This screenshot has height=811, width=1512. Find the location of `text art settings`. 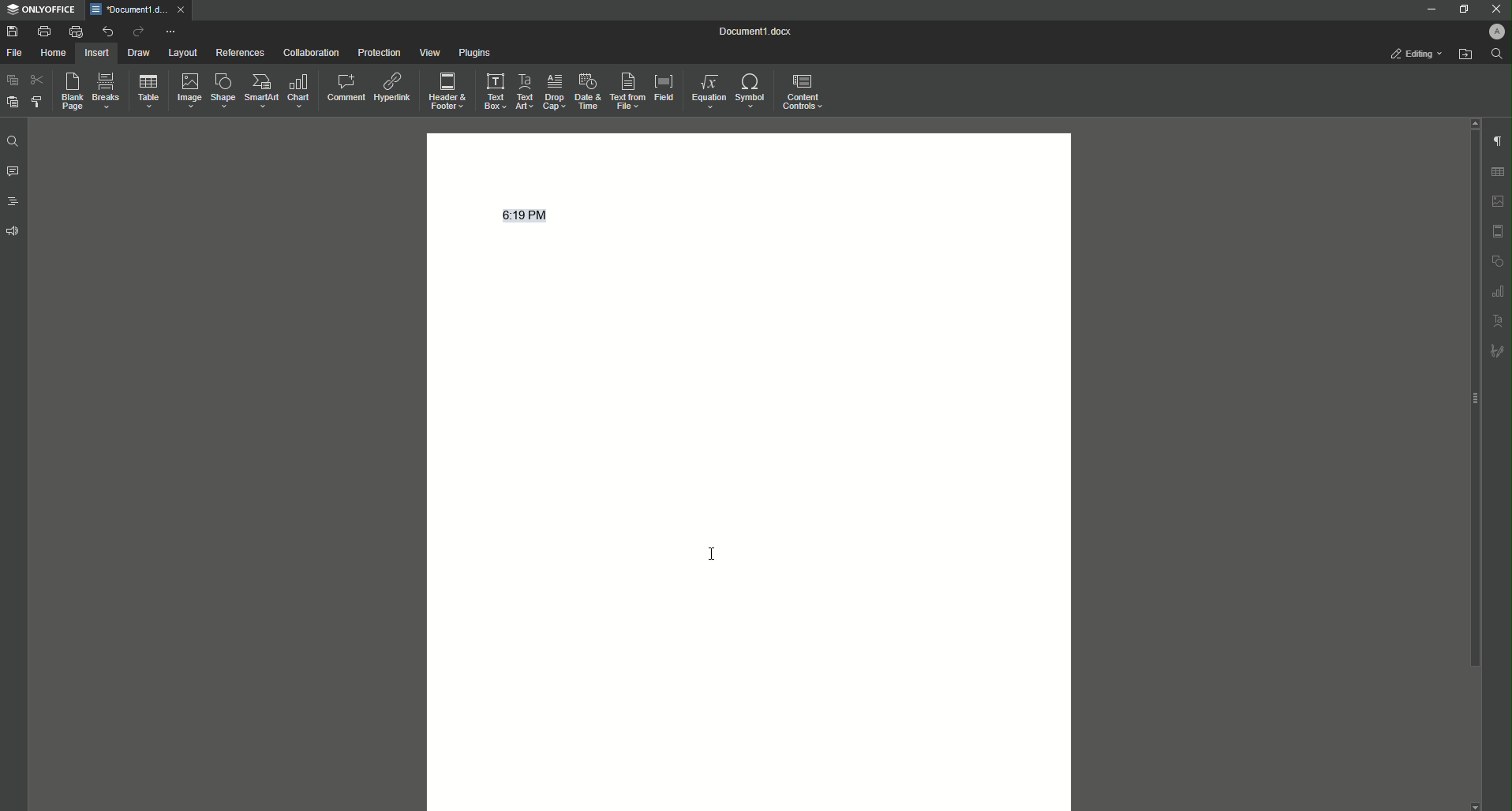

text art settings is located at coordinates (1499, 319).